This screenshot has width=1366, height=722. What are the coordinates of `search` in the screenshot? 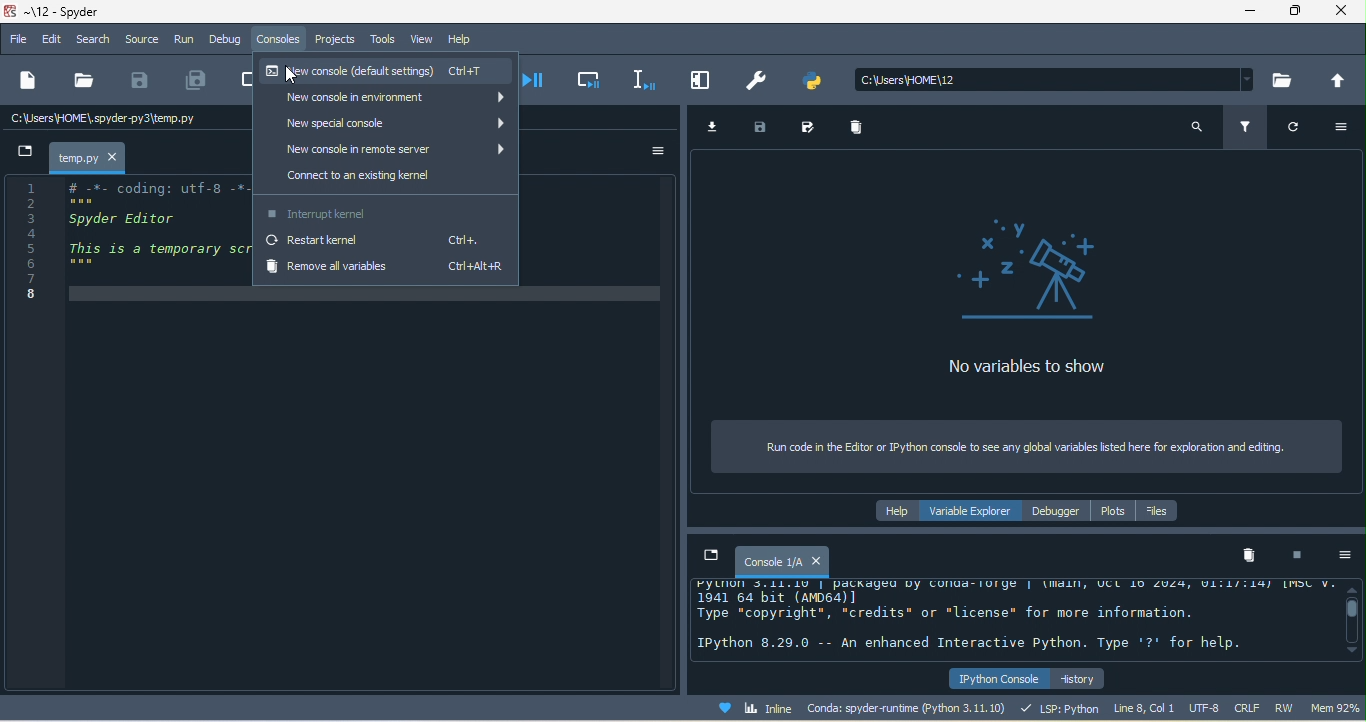 It's located at (1195, 127).